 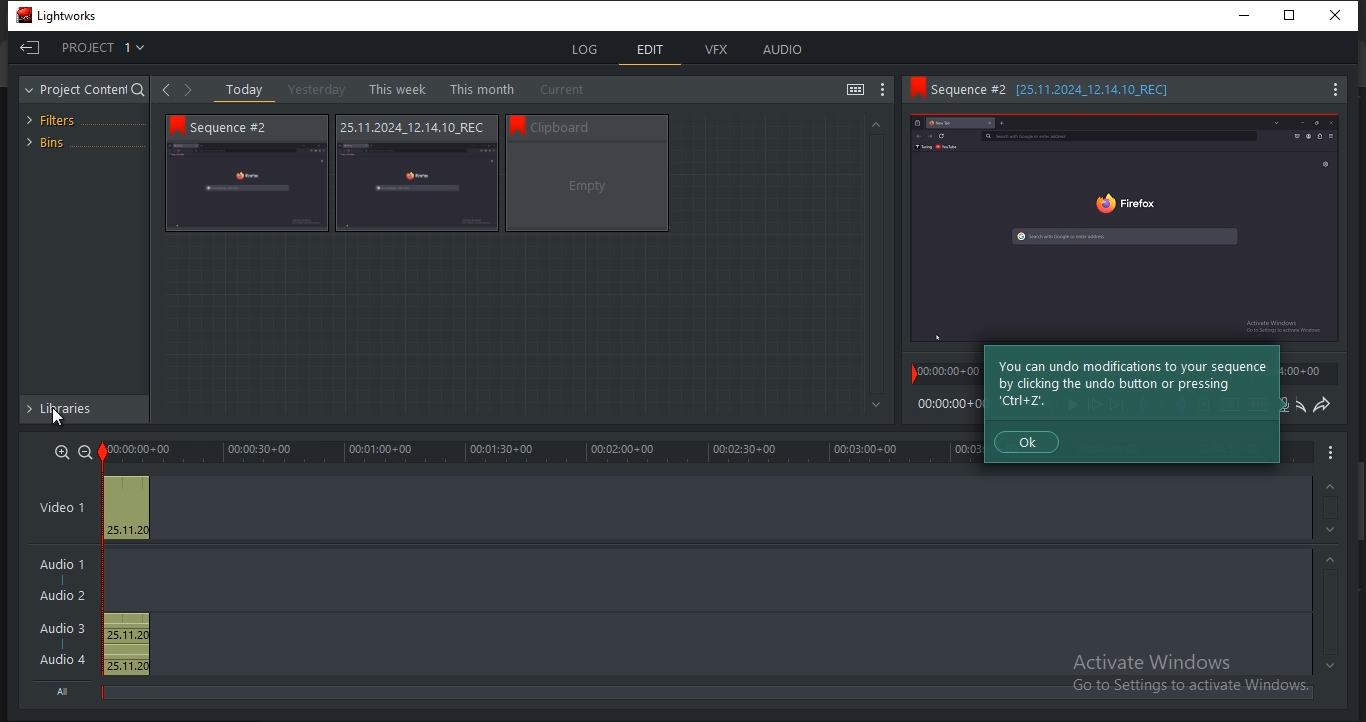 What do you see at coordinates (1131, 380) in the screenshot?
I see `Tip about modificaiton` at bounding box center [1131, 380].